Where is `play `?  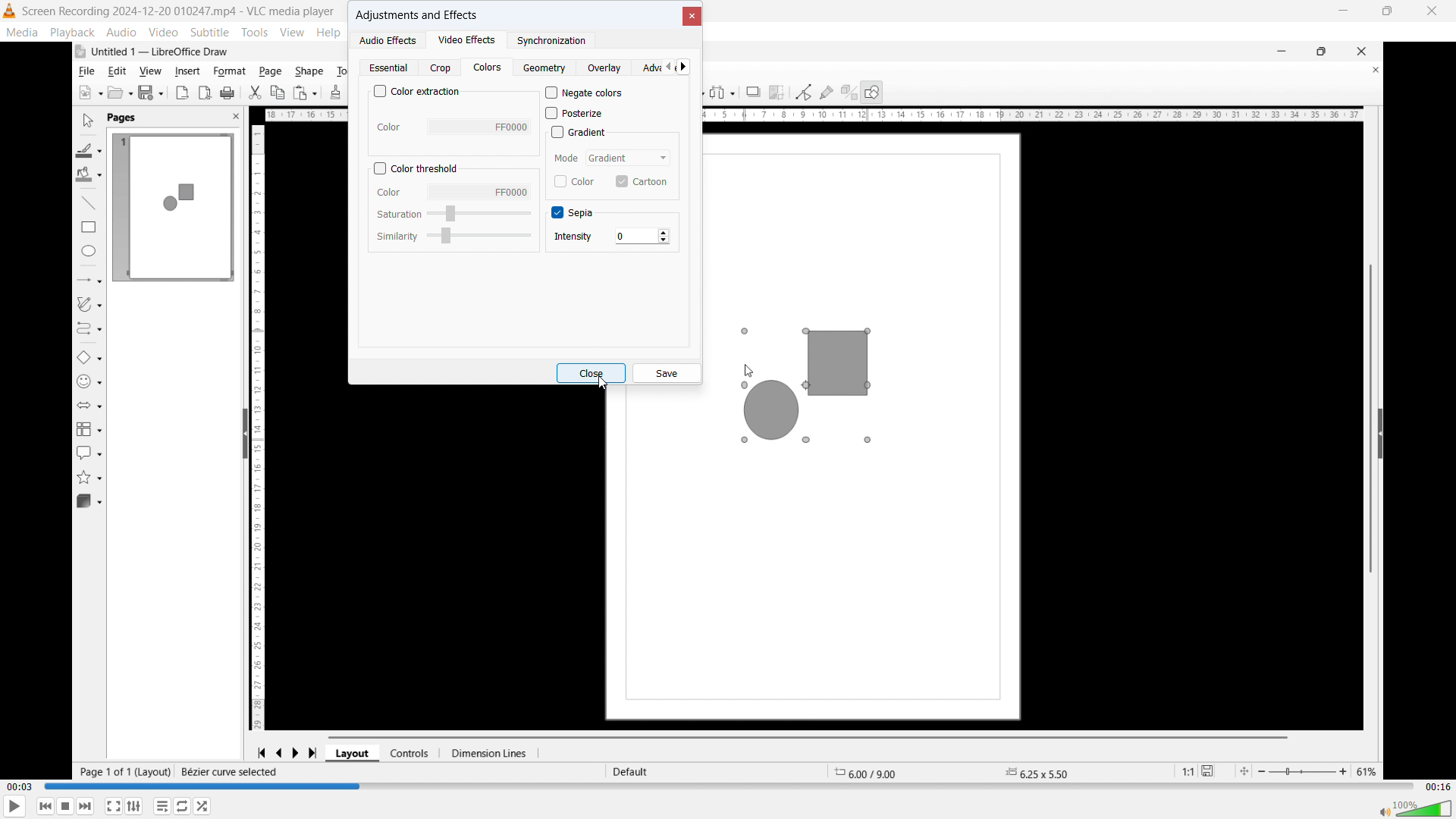 play  is located at coordinates (15, 806).